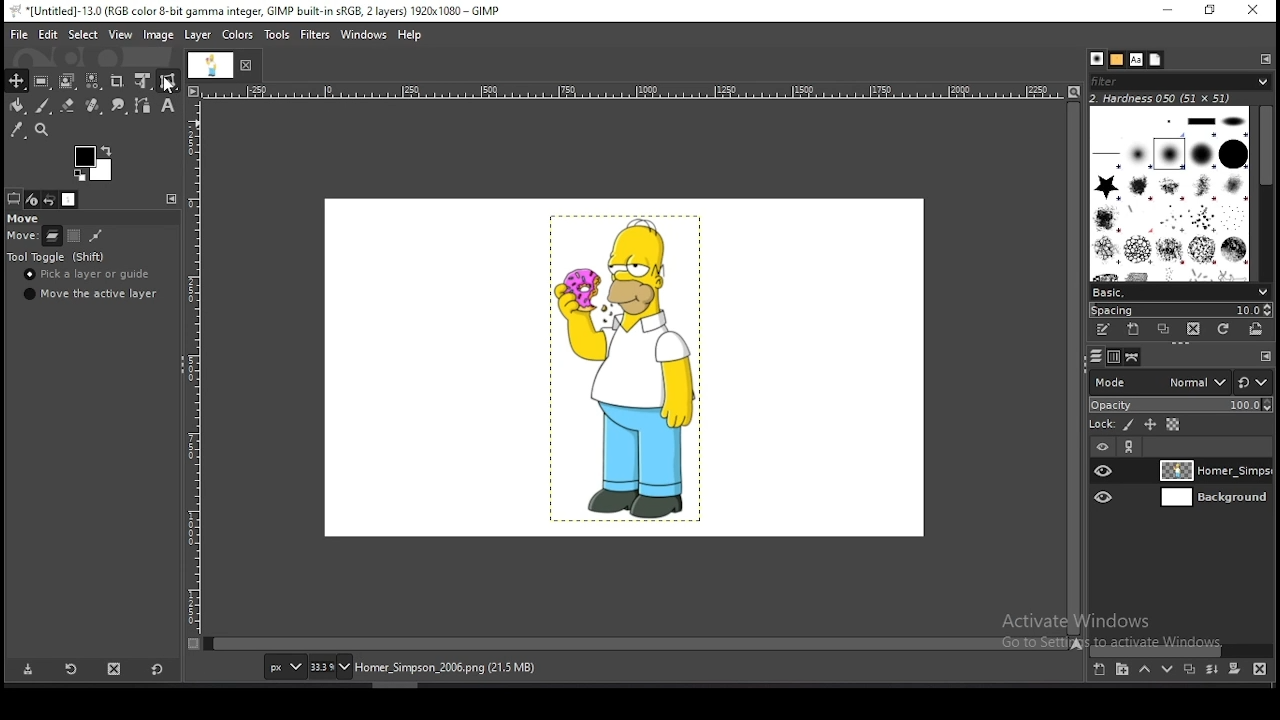 This screenshot has height=720, width=1280. I want to click on pick a layer or guide, so click(91, 276).